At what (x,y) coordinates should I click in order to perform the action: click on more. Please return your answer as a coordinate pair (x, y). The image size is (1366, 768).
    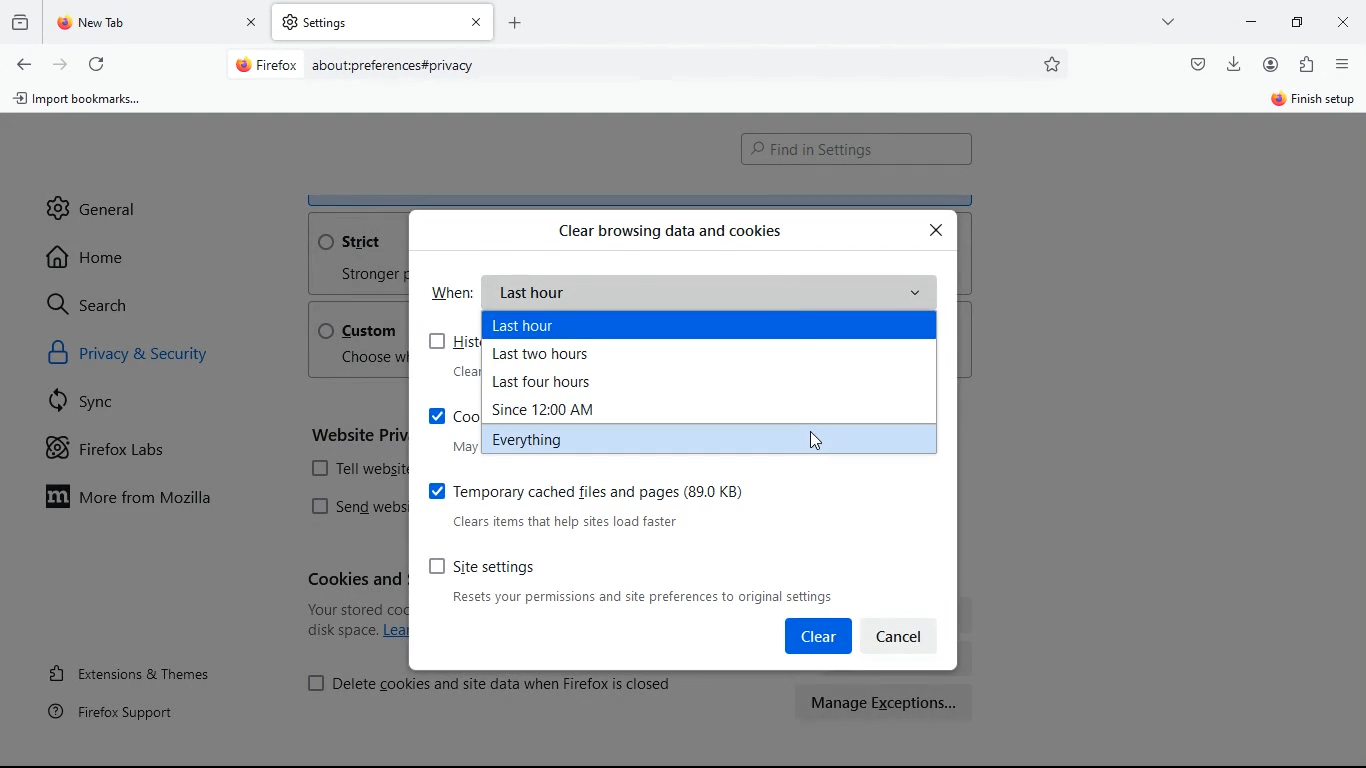
    Looking at the image, I should click on (1171, 21).